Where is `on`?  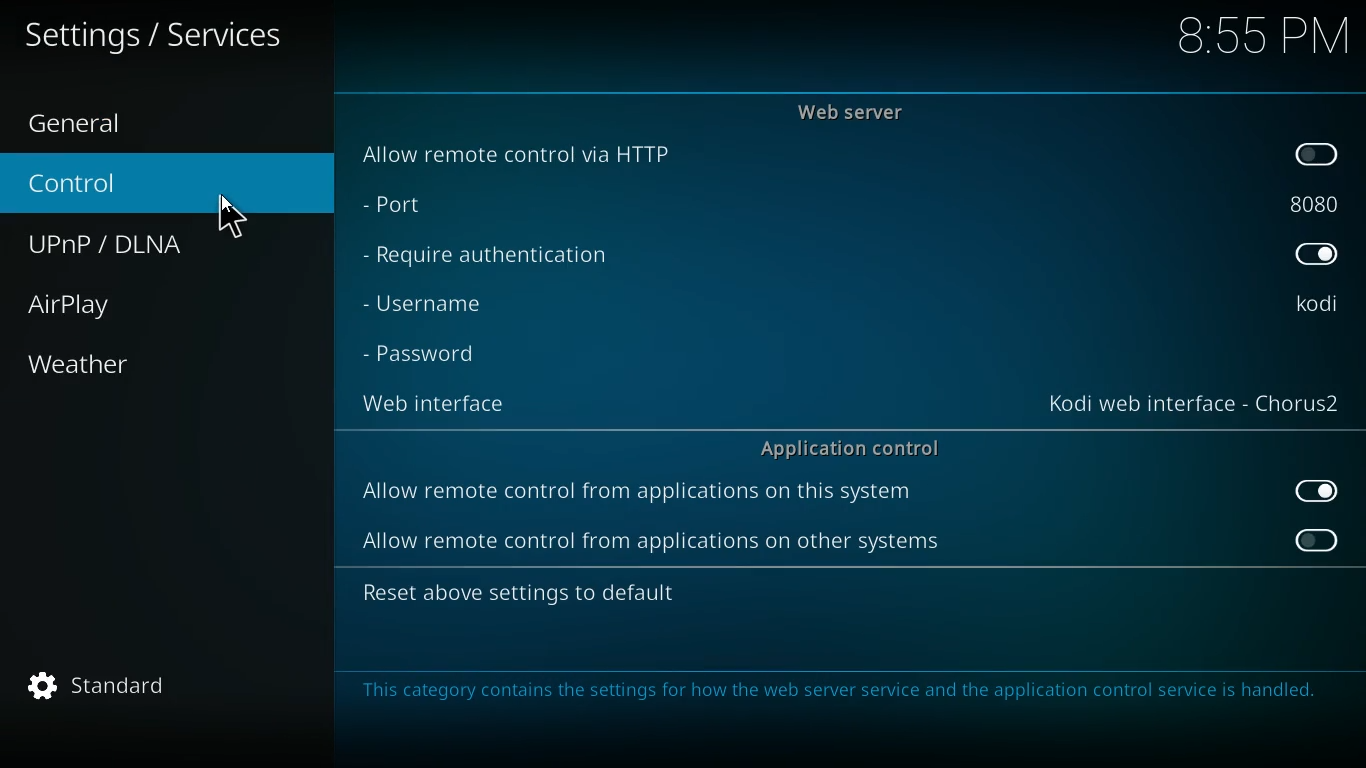 on is located at coordinates (1316, 257).